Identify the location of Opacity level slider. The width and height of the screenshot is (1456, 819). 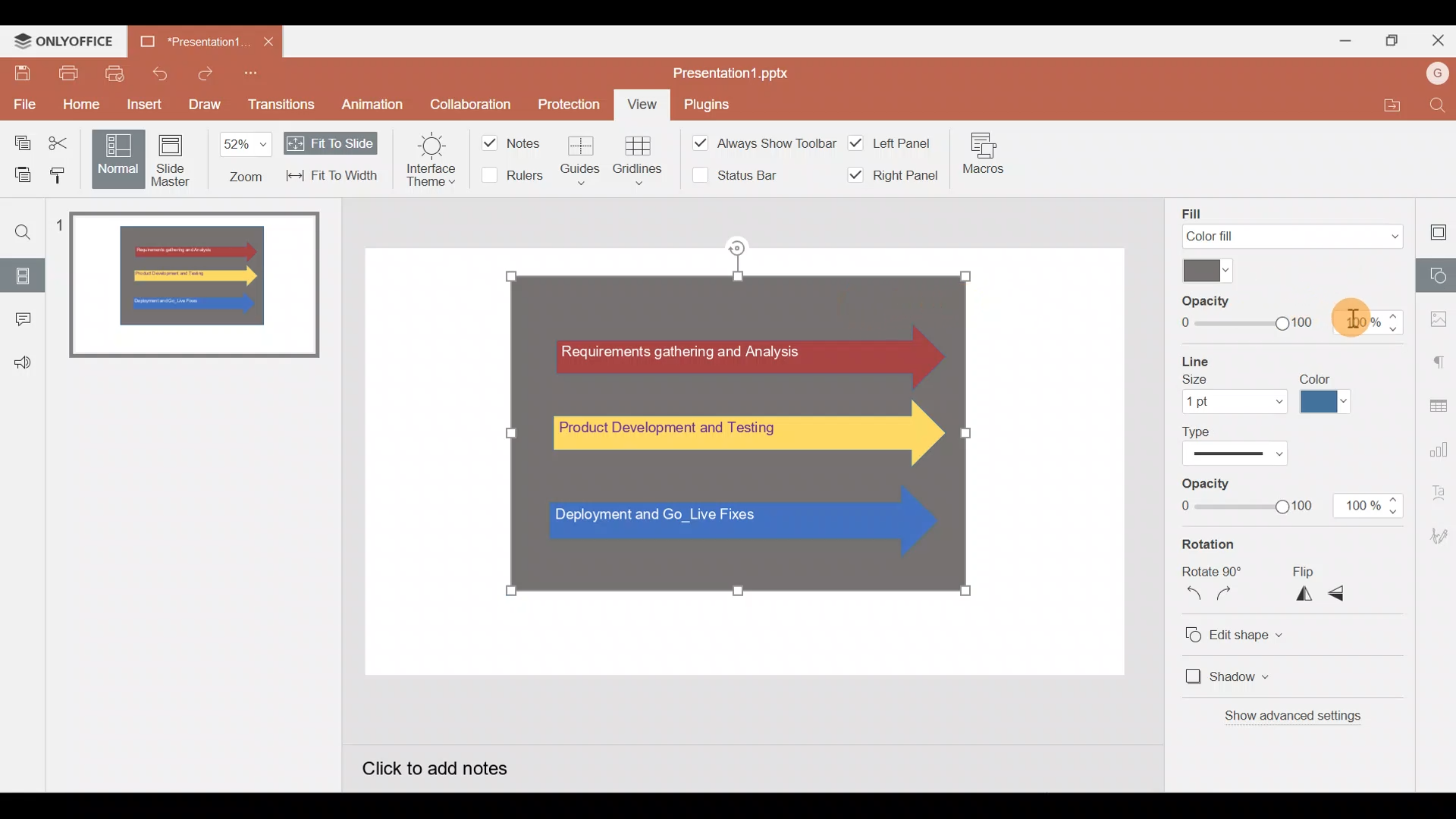
(1238, 312).